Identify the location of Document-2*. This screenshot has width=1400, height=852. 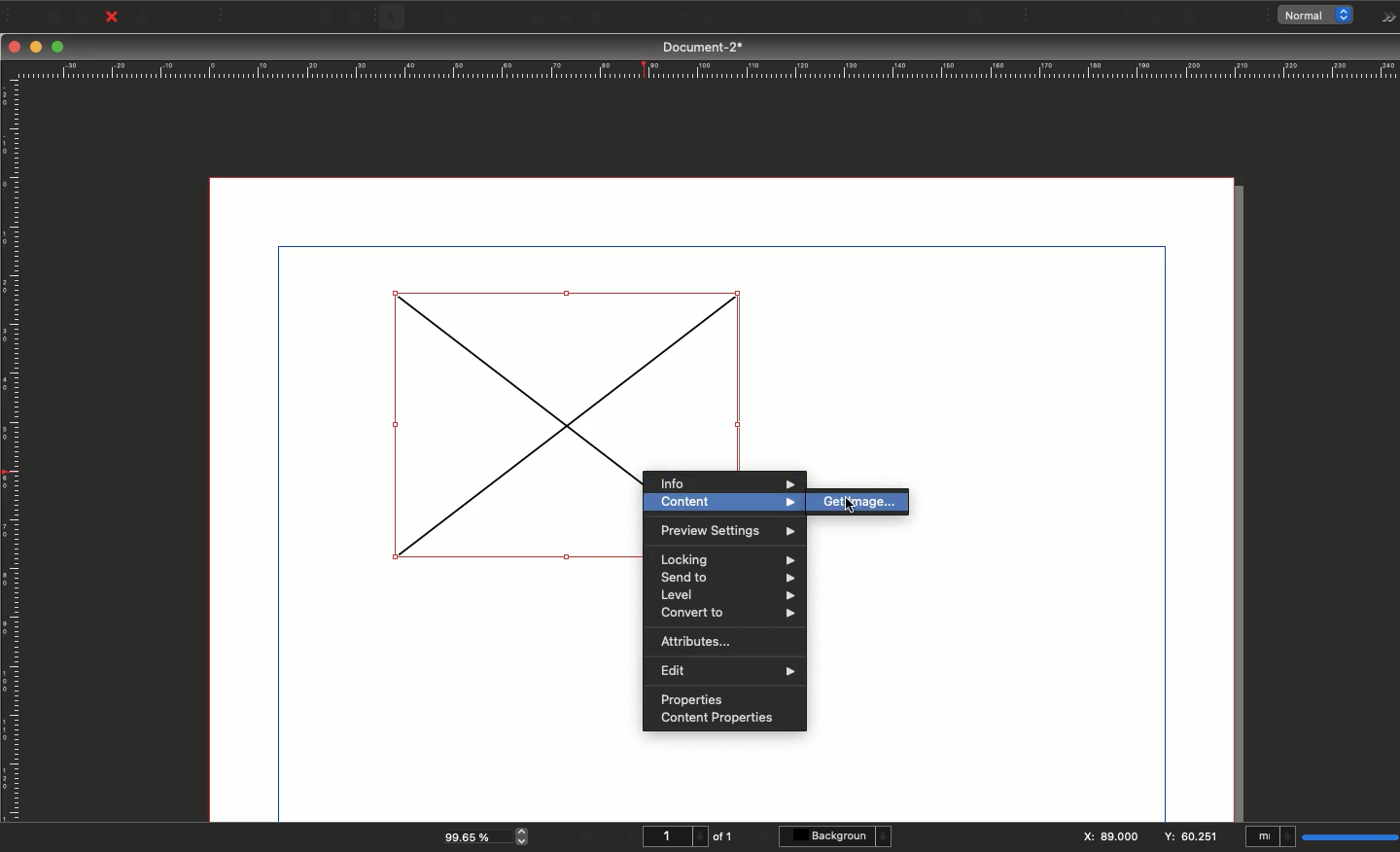
(705, 47).